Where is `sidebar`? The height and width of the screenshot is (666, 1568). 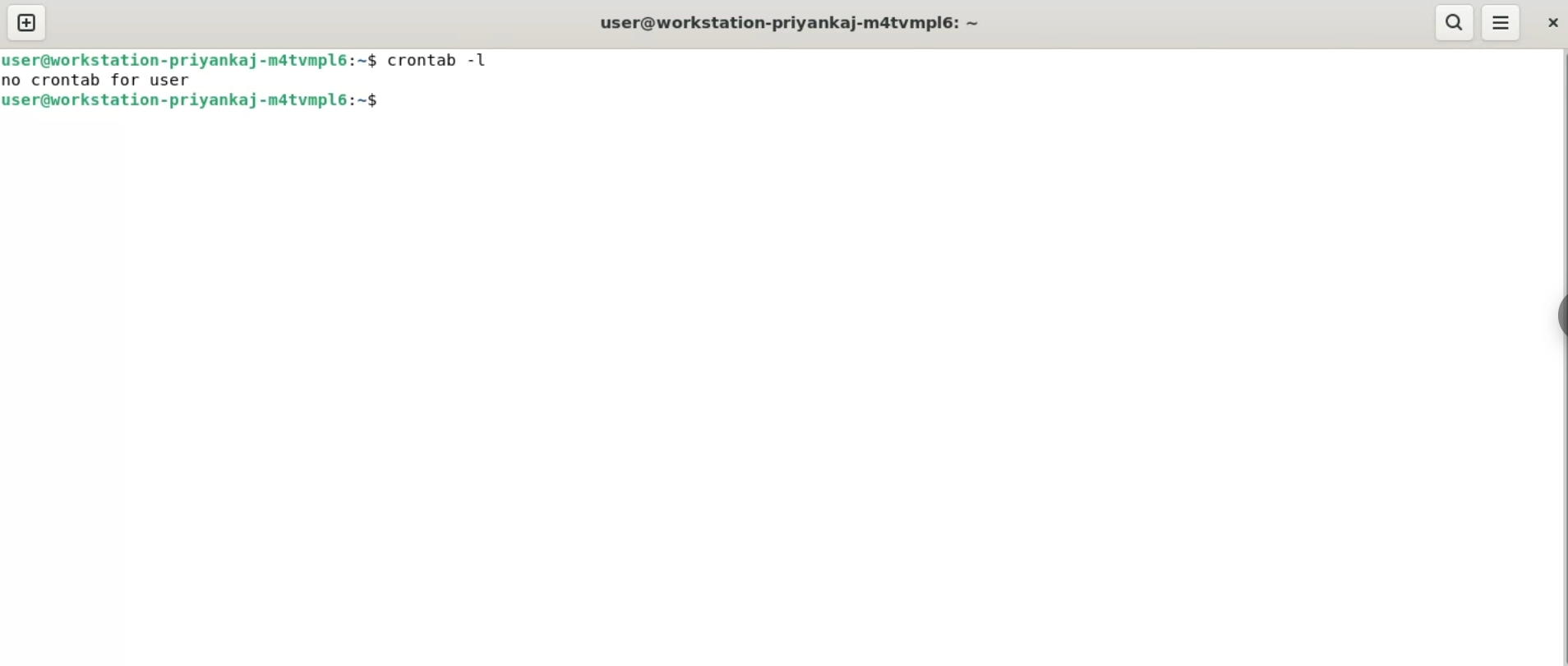
sidebar is located at coordinates (1558, 317).